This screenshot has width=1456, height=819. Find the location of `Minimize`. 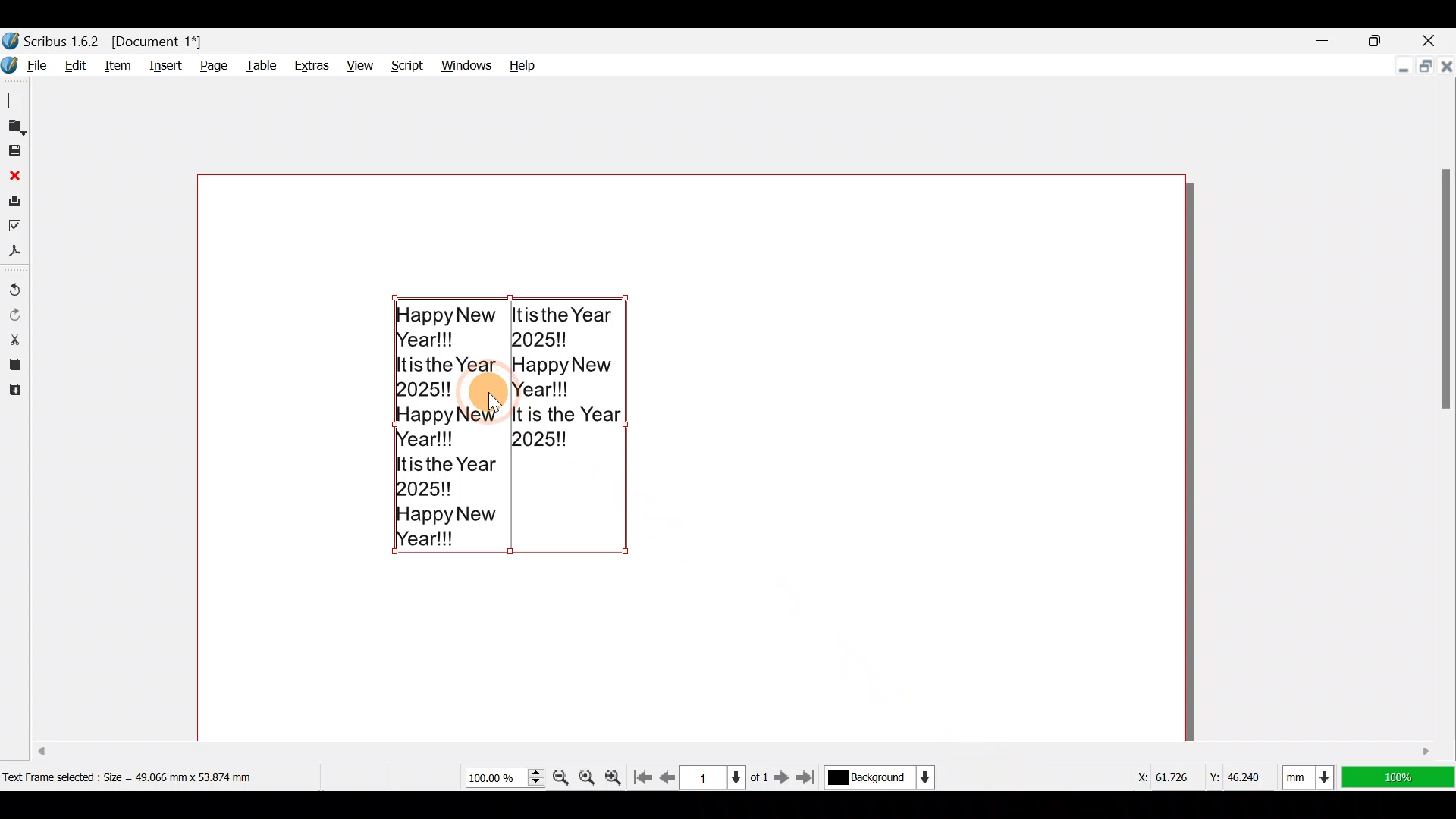

Minimize is located at coordinates (1401, 68).